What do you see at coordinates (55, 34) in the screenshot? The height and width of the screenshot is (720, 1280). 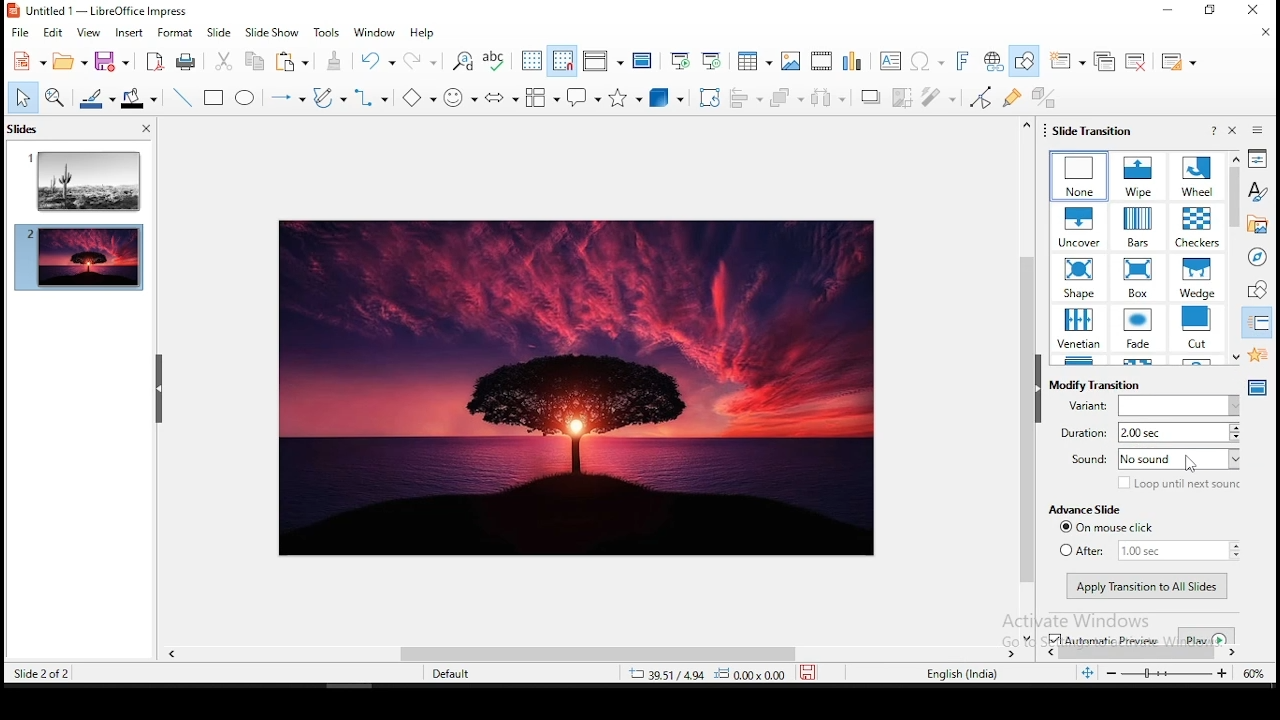 I see `edit` at bounding box center [55, 34].